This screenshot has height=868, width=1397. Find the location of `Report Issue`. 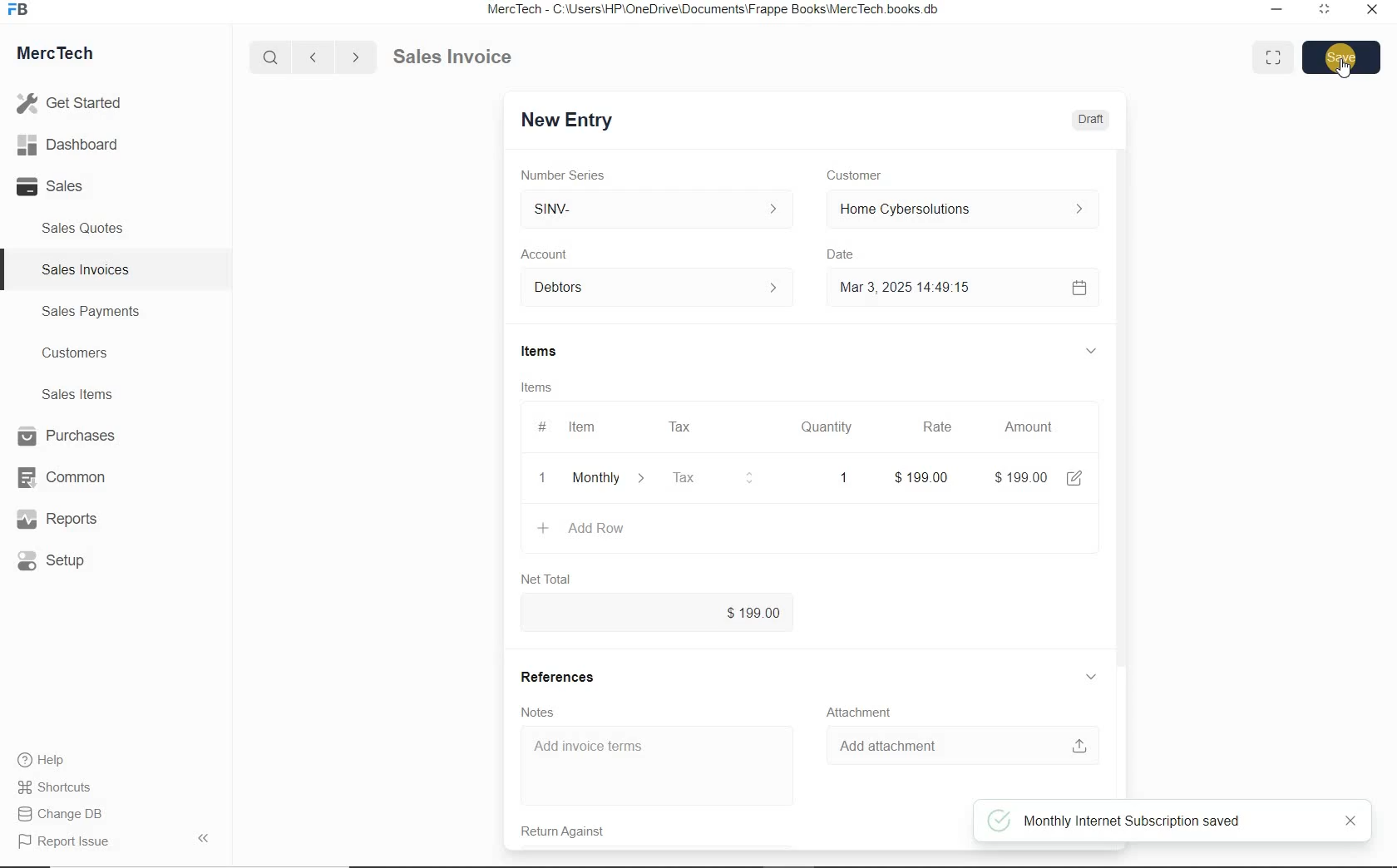

Report Issue is located at coordinates (67, 842).